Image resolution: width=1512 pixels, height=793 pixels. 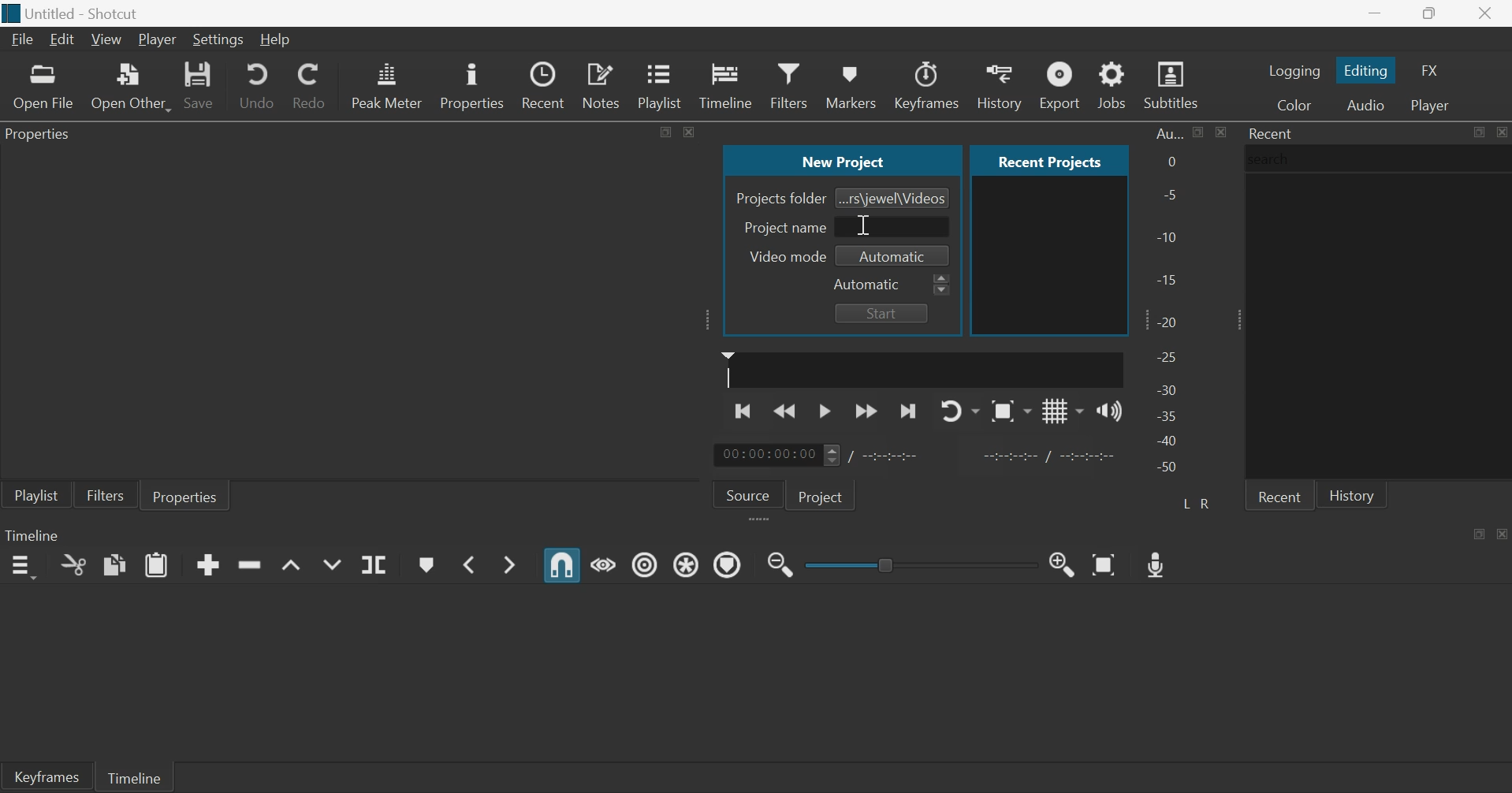 What do you see at coordinates (825, 411) in the screenshot?
I see `Toggle play or pause` at bounding box center [825, 411].